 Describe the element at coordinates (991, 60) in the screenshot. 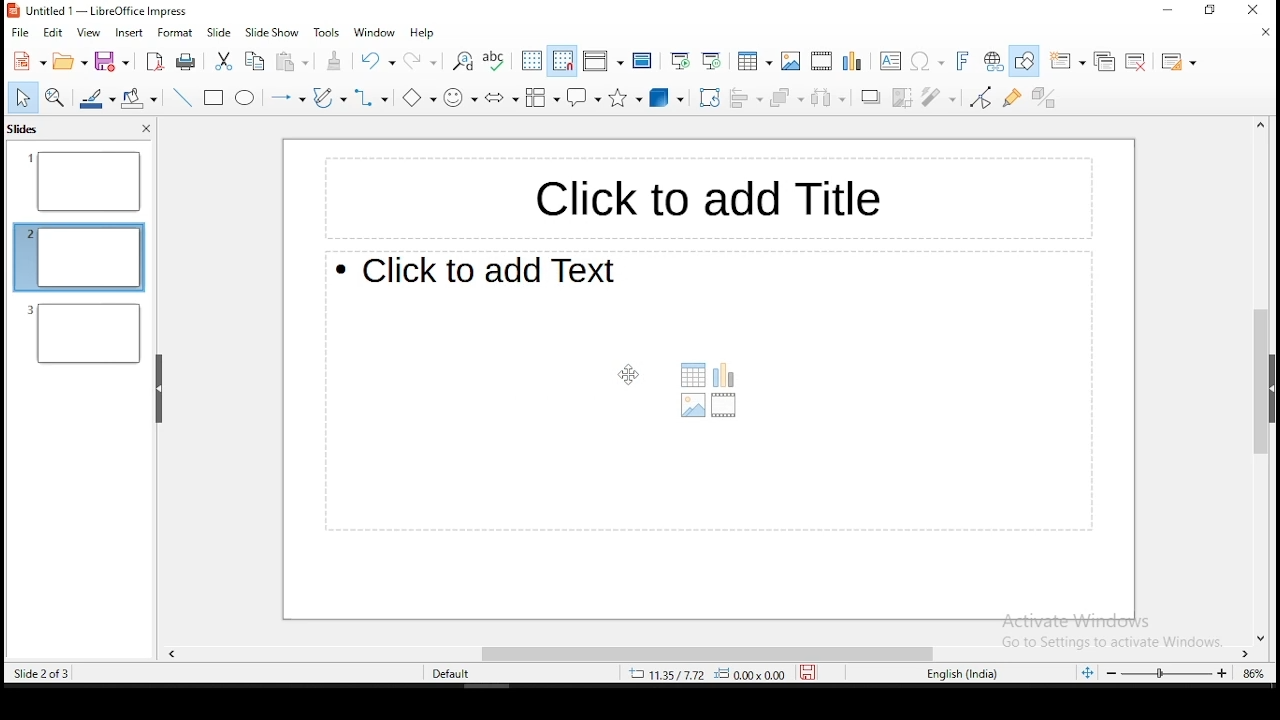

I see `insert hyperlink` at that location.